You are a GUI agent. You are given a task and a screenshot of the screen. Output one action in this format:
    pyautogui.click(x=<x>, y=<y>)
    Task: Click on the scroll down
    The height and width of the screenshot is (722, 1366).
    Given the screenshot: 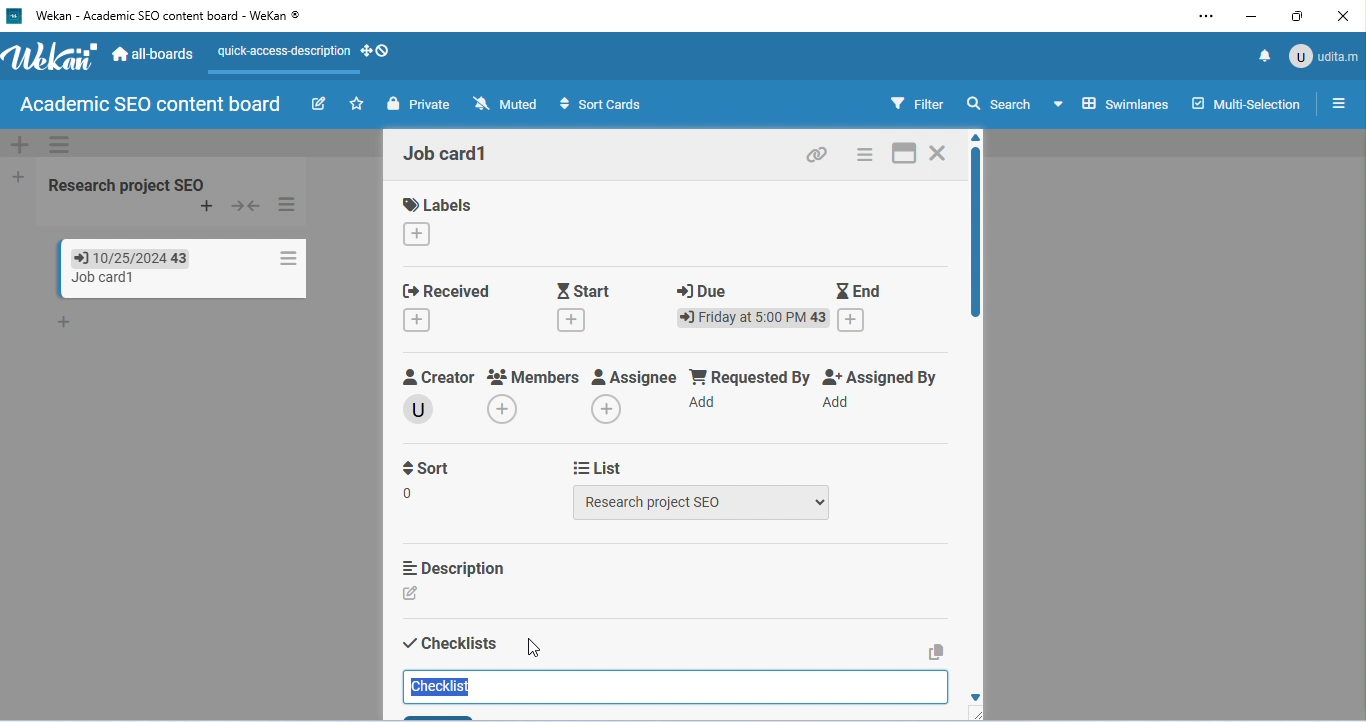 What is the action you would take?
    pyautogui.click(x=982, y=695)
    